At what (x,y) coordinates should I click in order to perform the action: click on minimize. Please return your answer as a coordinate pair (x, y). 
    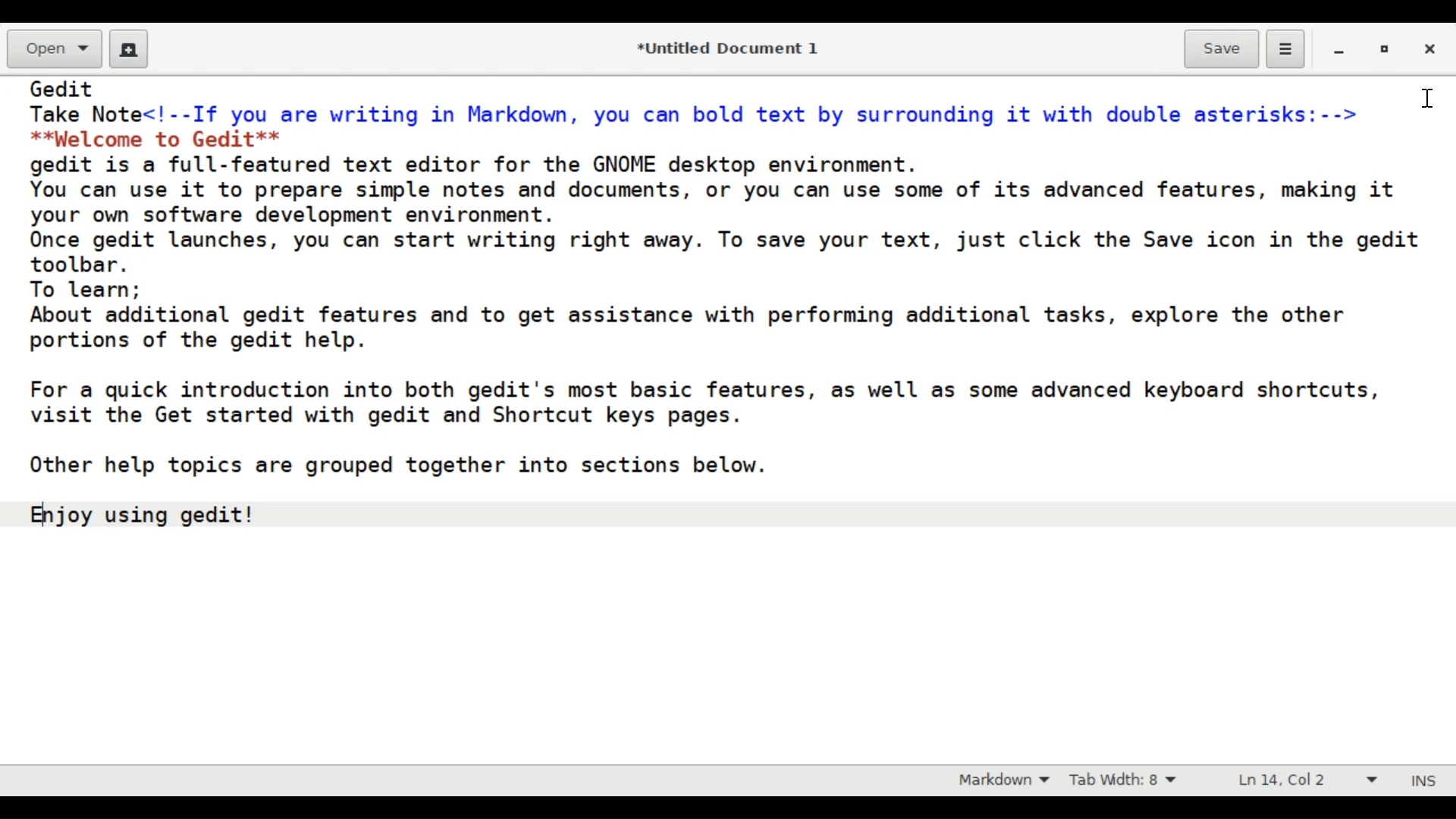
    Looking at the image, I should click on (1341, 49).